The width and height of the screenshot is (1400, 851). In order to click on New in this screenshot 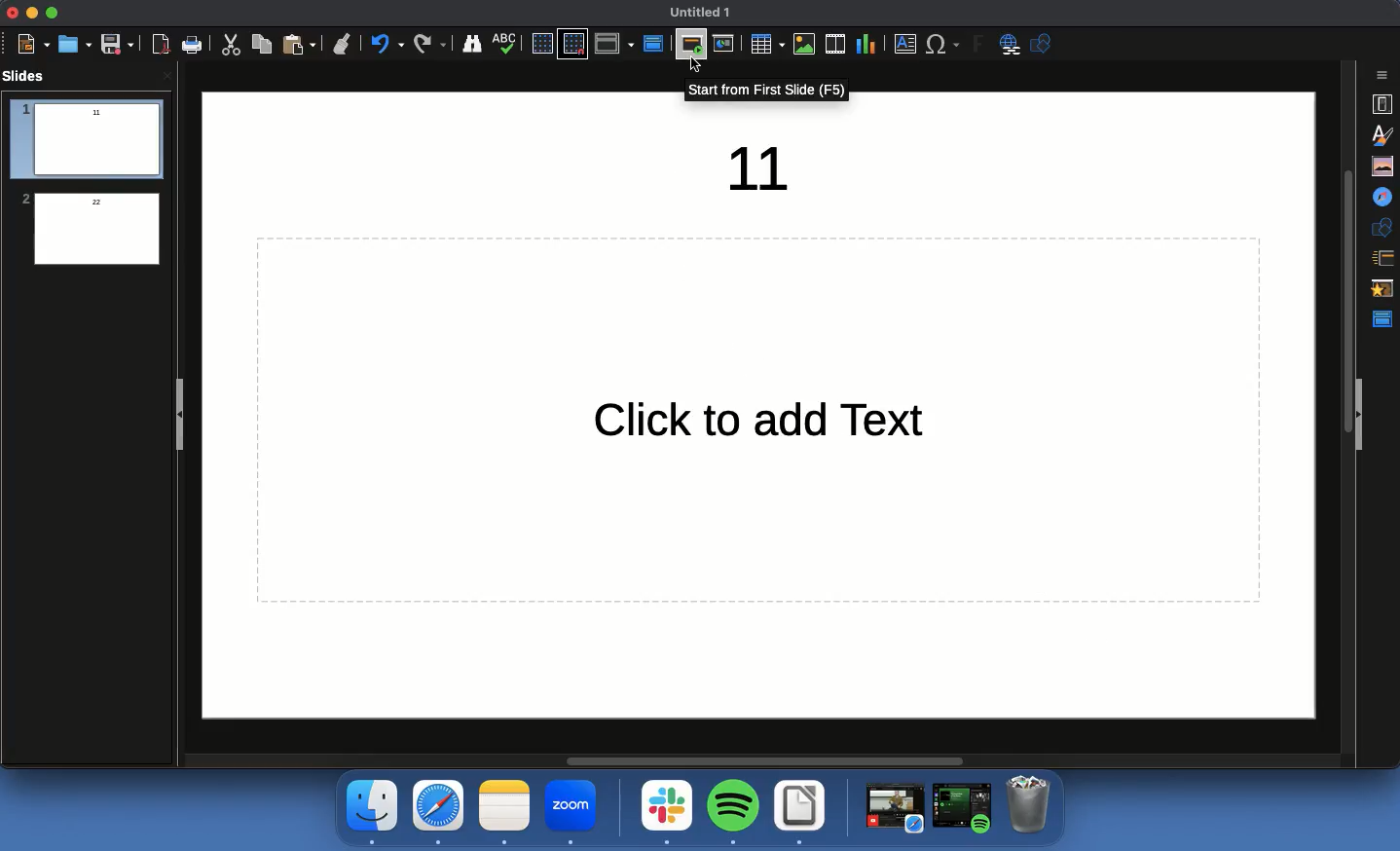, I will do `click(35, 44)`.